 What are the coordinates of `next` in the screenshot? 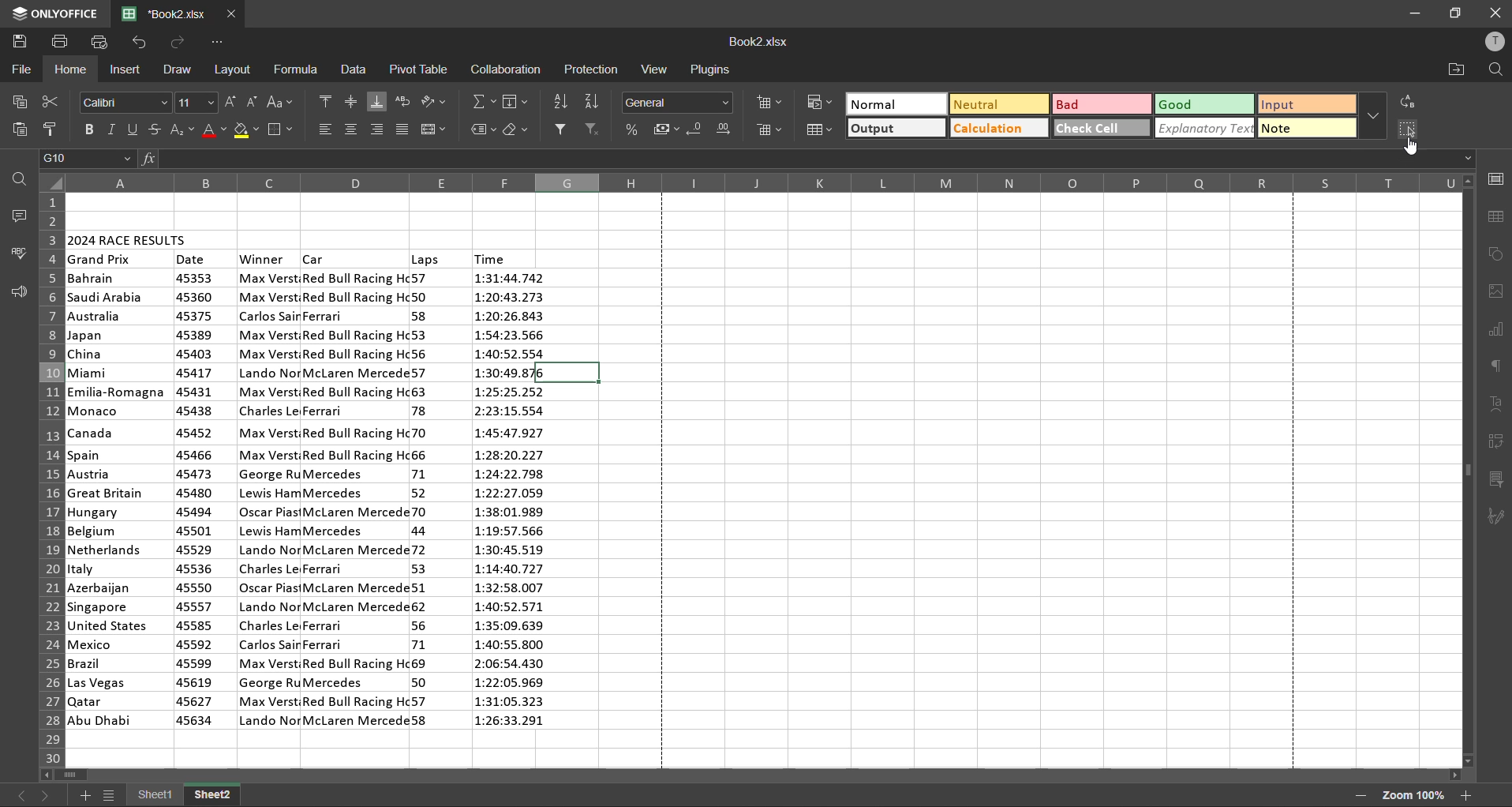 It's located at (47, 795).